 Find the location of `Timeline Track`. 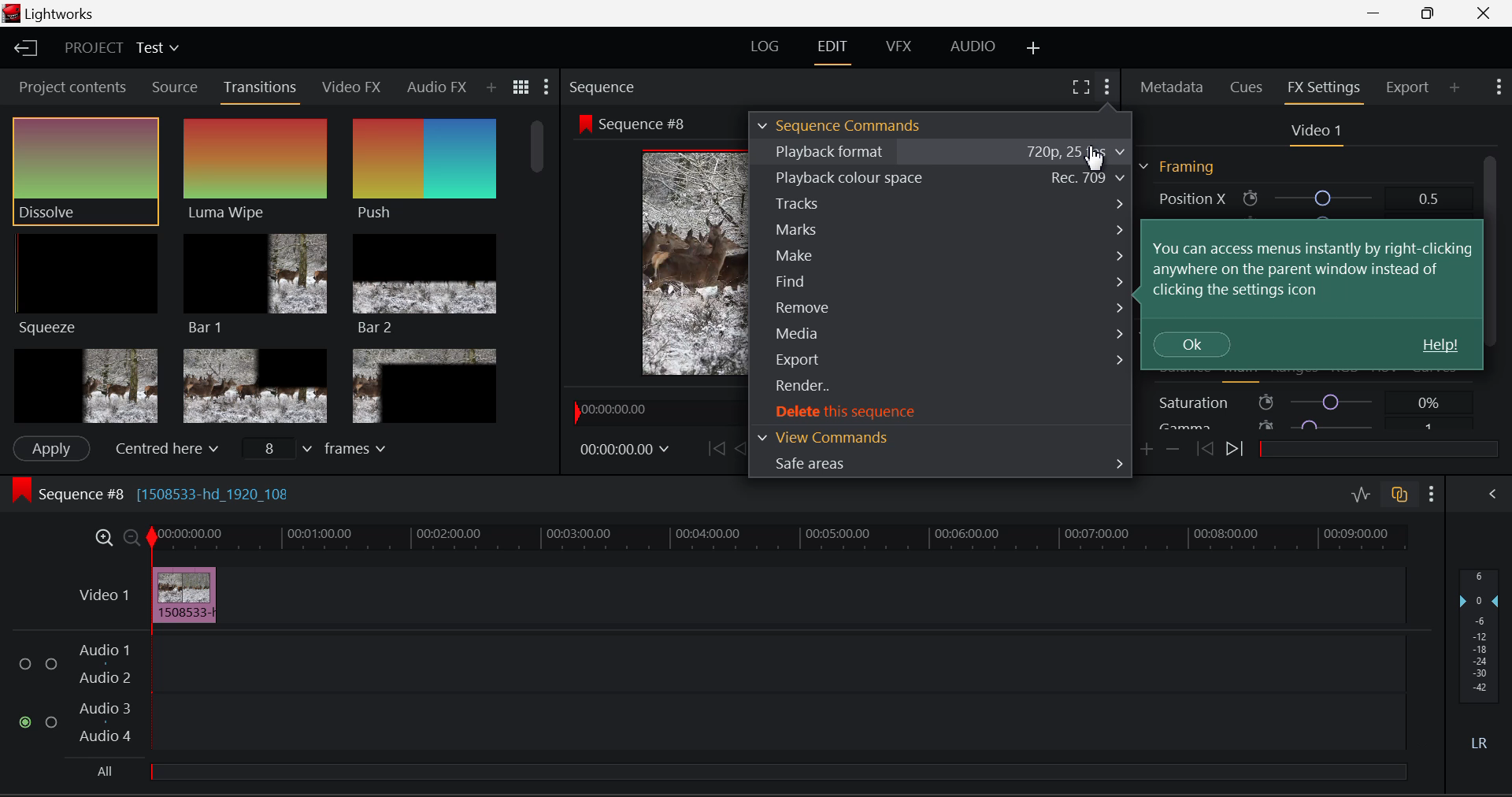

Timeline Track is located at coordinates (778, 539).